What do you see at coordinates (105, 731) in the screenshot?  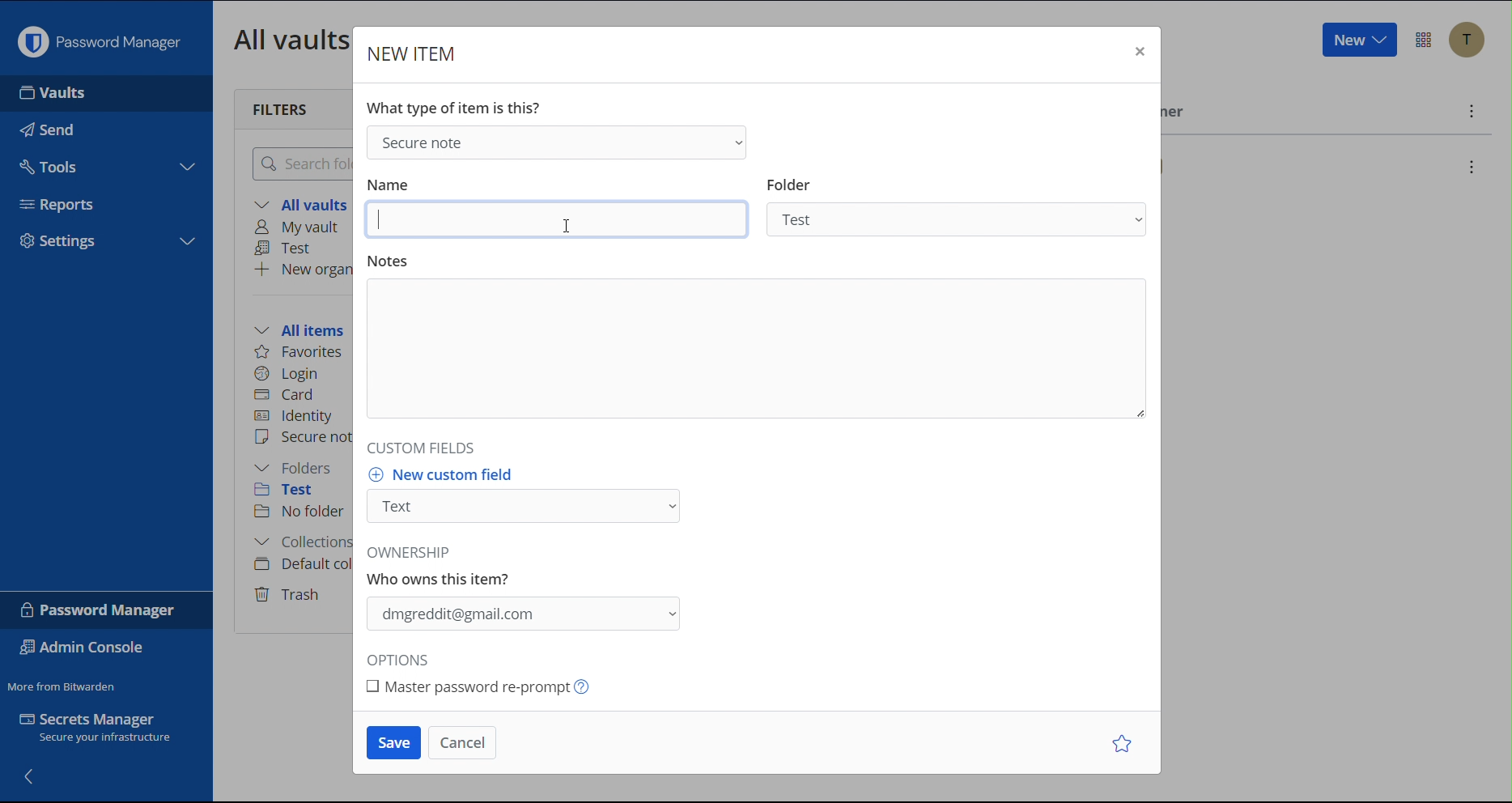 I see `Secrets Manager` at bounding box center [105, 731].